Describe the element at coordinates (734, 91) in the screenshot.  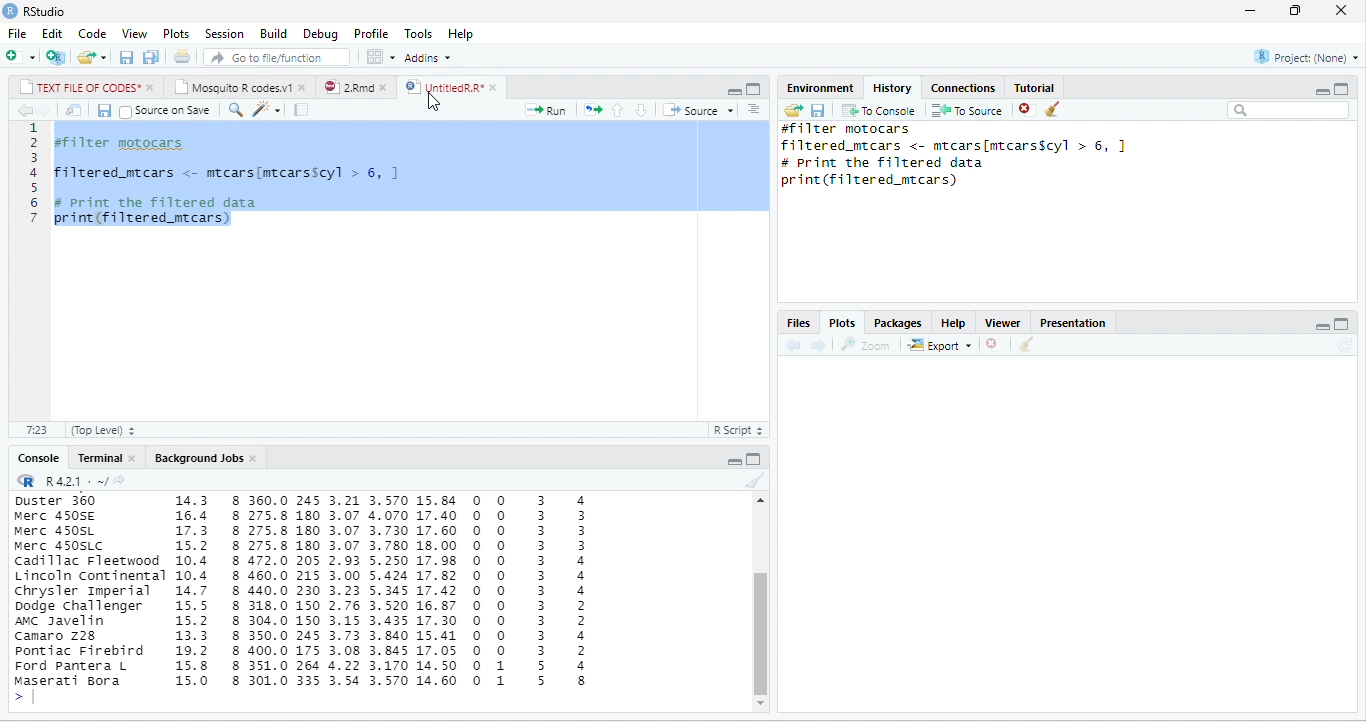
I see `minimize` at that location.